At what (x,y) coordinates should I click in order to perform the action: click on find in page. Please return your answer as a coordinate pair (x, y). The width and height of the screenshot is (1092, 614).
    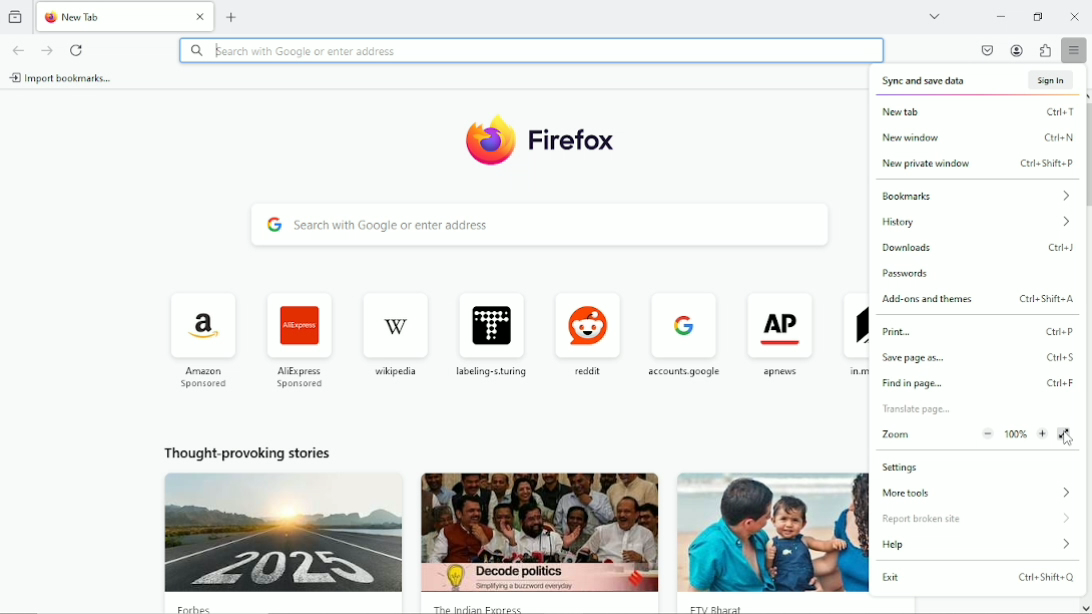
    Looking at the image, I should click on (979, 383).